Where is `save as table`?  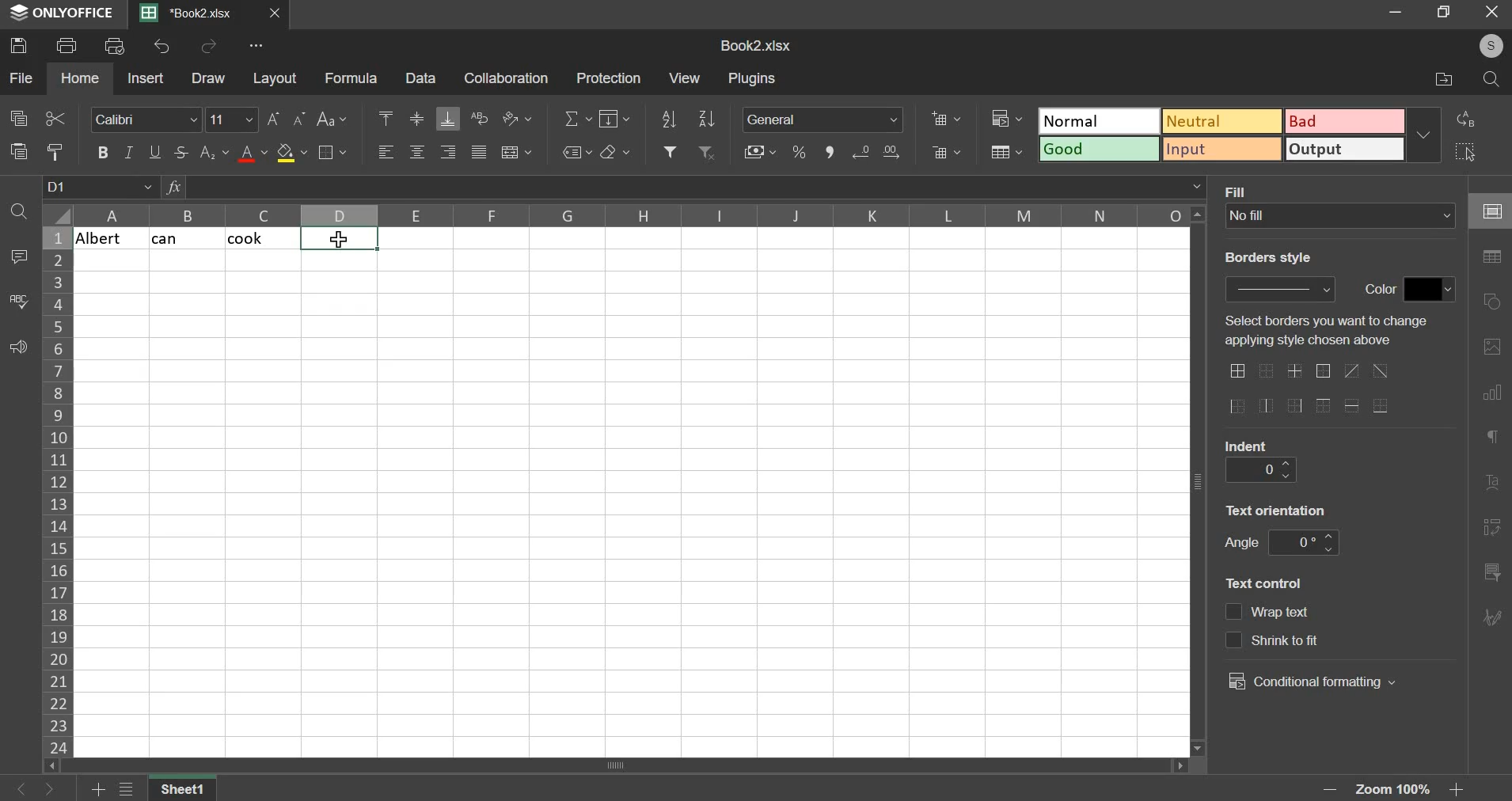
save as table is located at coordinates (1008, 153).